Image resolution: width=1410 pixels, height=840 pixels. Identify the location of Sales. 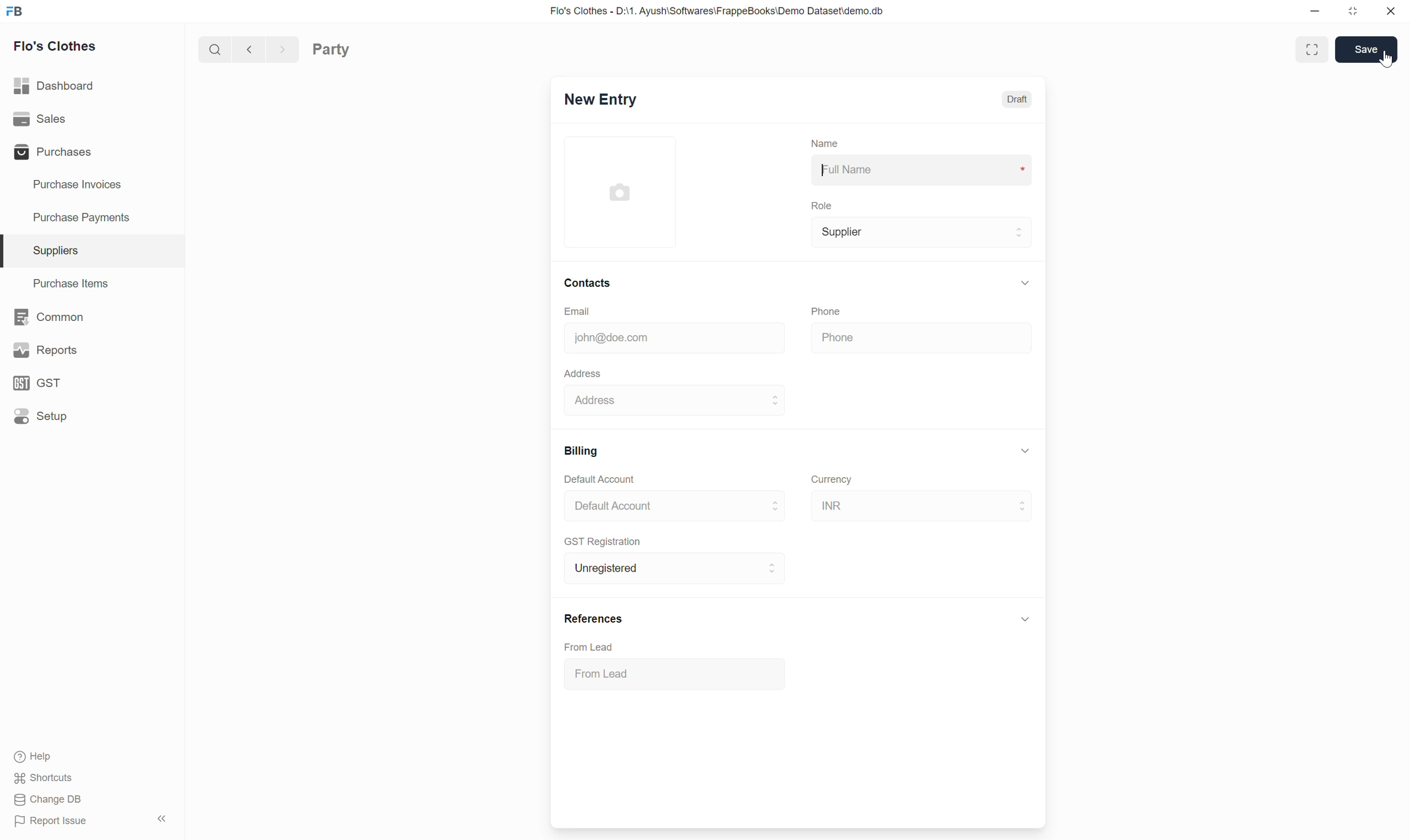
(92, 119).